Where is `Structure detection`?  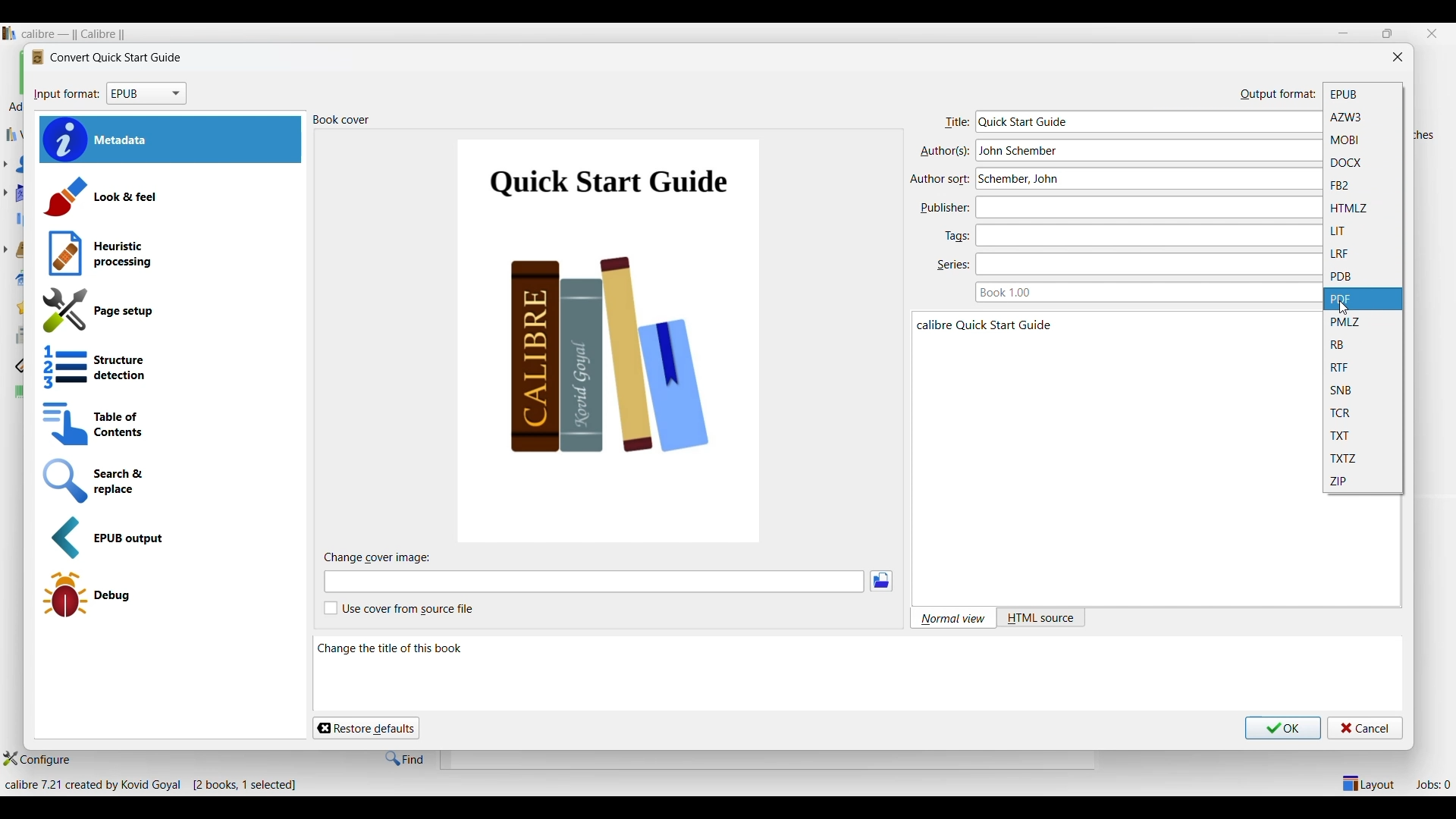 Structure detection is located at coordinates (167, 367).